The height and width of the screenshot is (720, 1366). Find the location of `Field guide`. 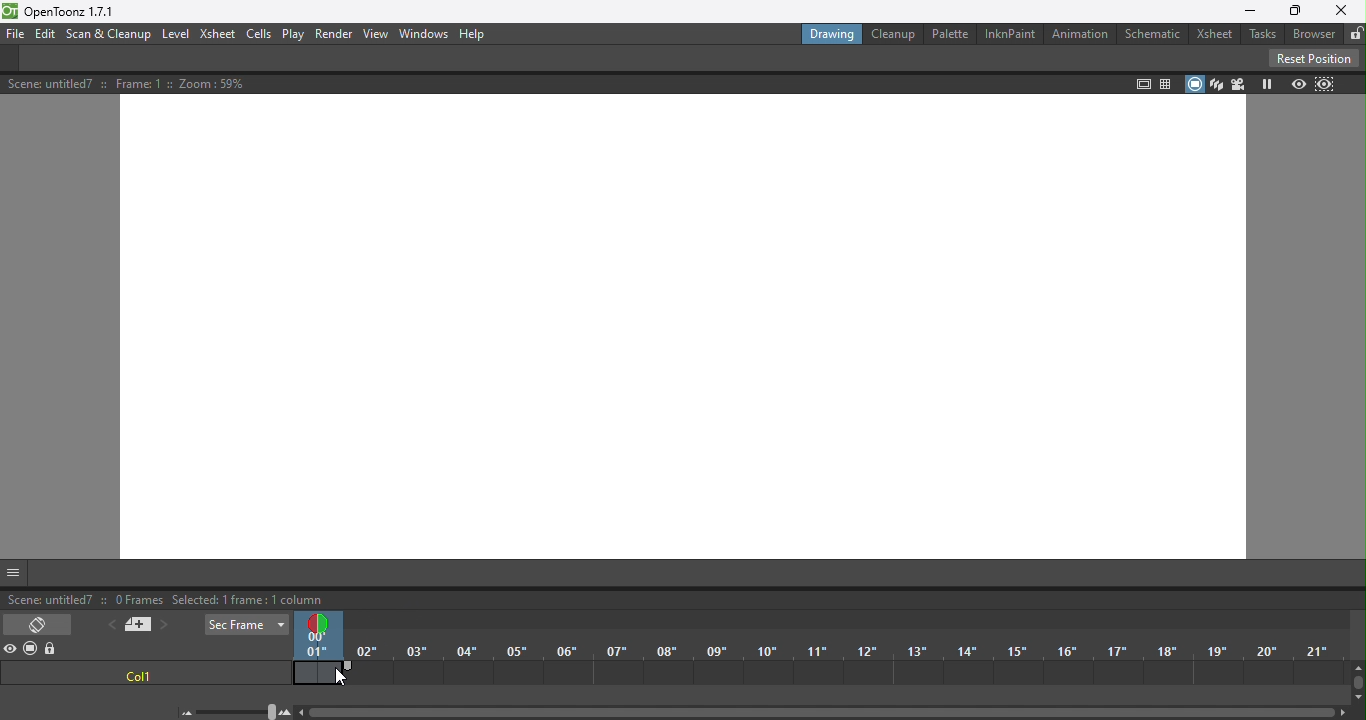

Field guide is located at coordinates (1168, 82).